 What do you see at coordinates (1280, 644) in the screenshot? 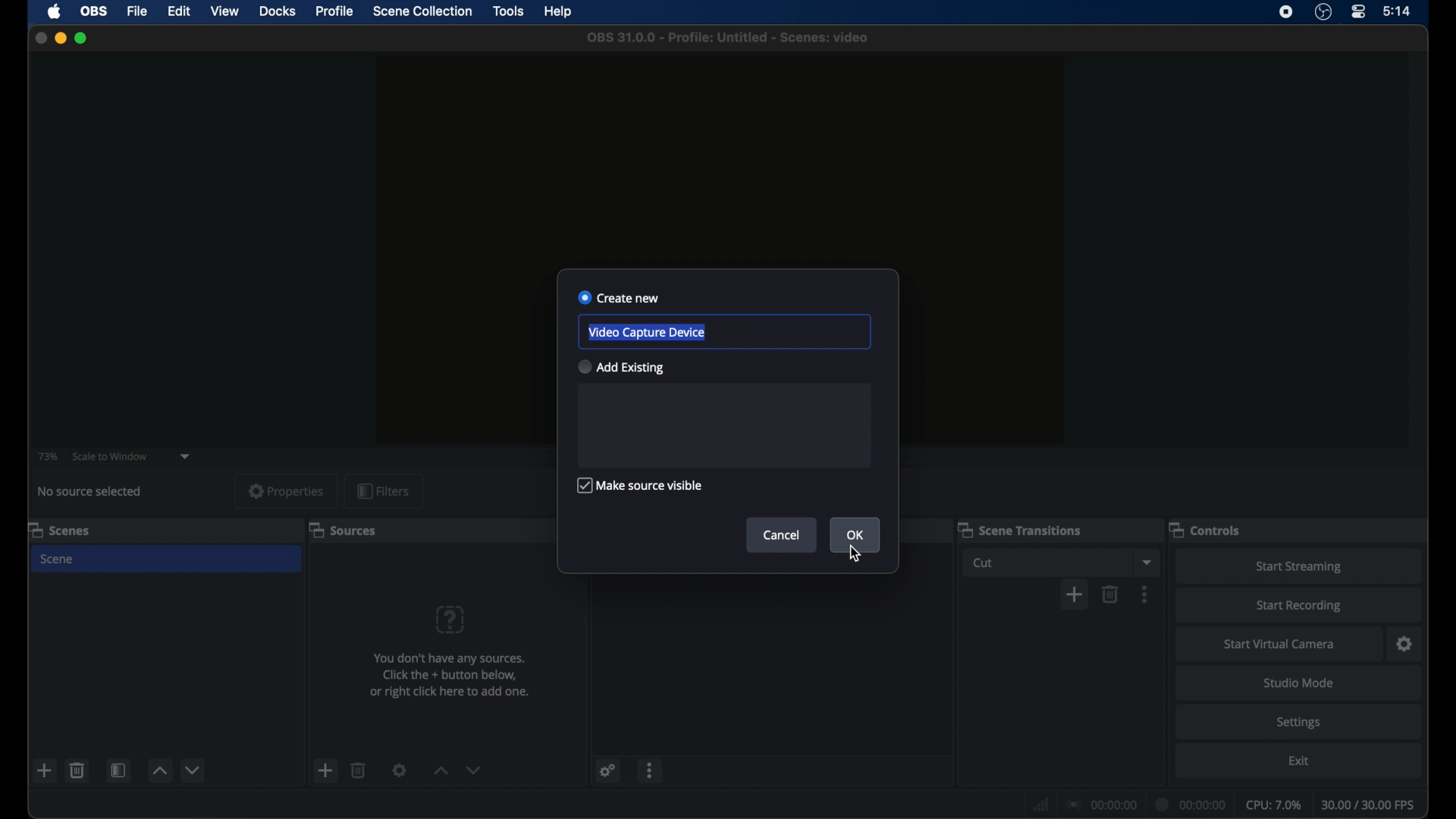
I see `start virtual camera` at bounding box center [1280, 644].